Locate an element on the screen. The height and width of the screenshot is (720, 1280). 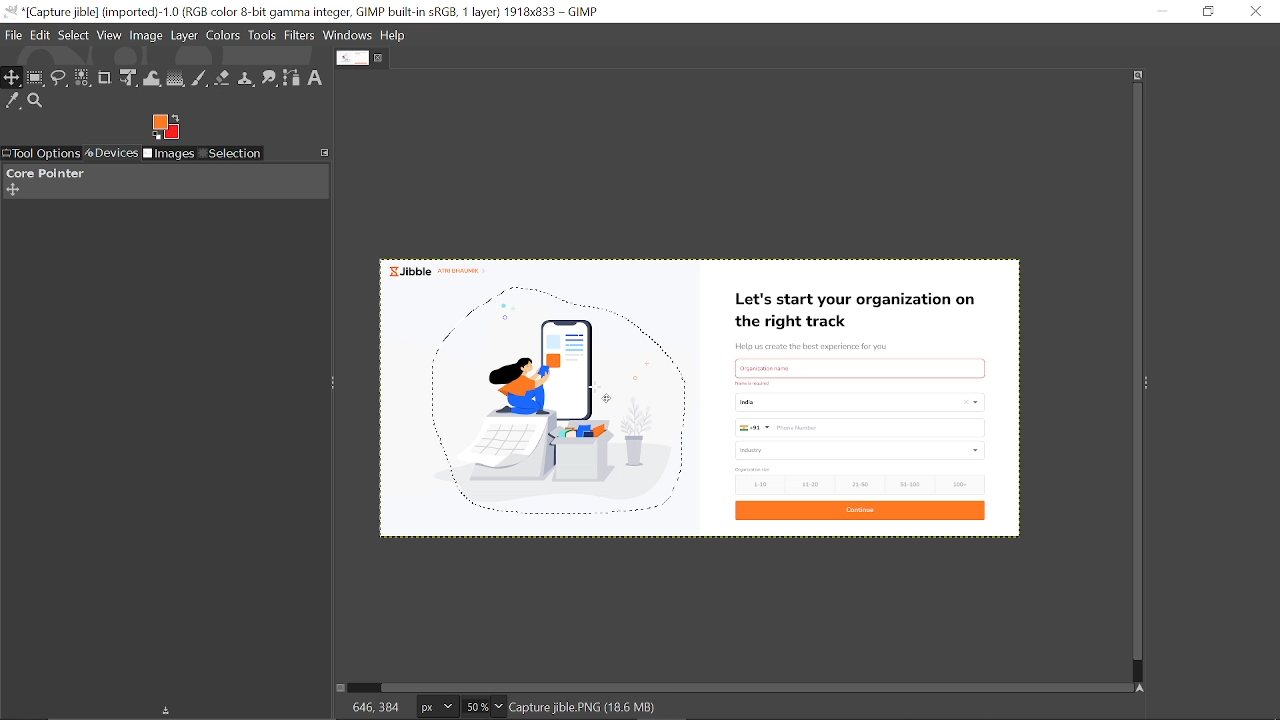
expand is located at coordinates (165, 125).